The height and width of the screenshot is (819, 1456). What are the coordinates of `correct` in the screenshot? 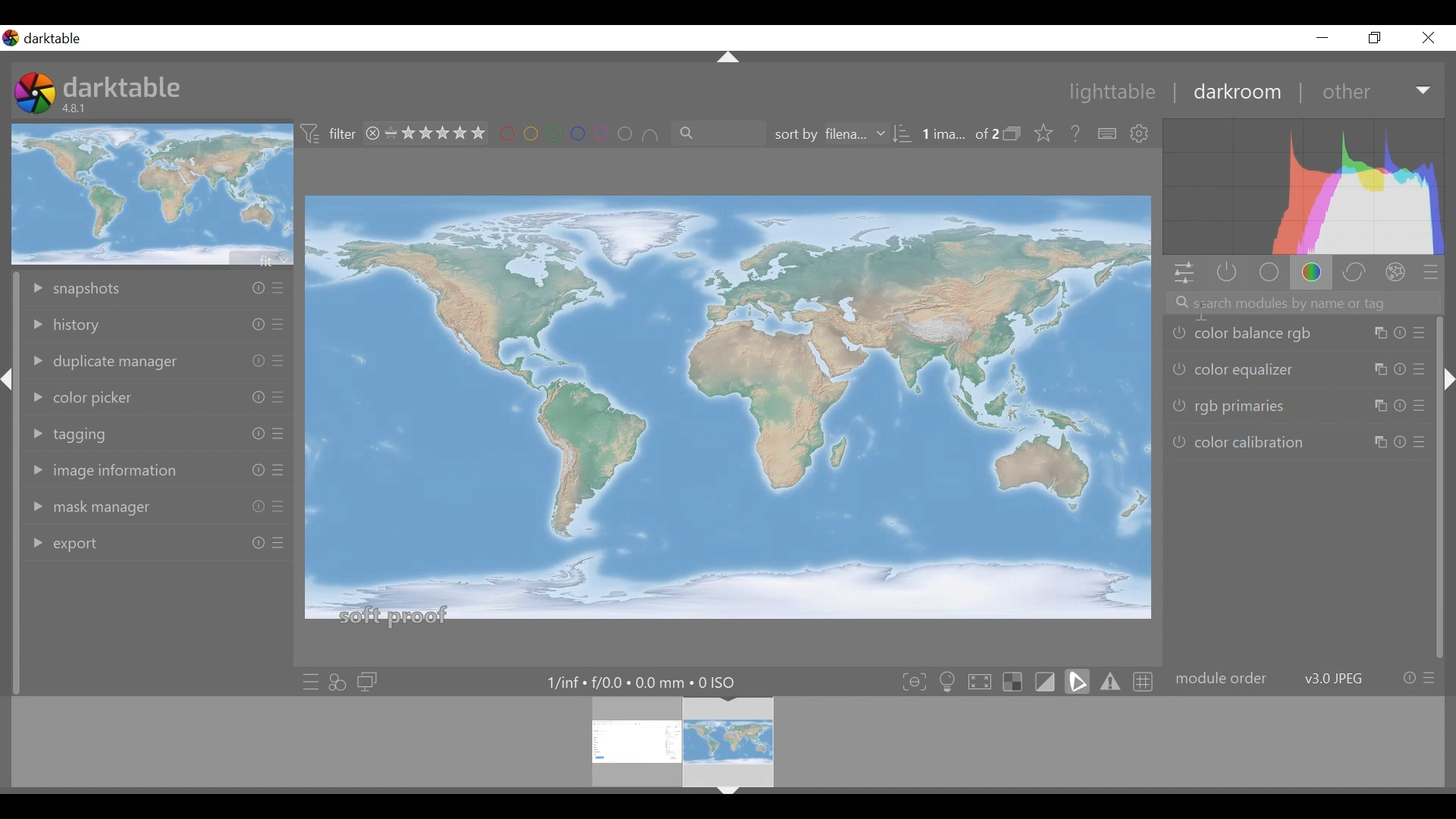 It's located at (1357, 274).